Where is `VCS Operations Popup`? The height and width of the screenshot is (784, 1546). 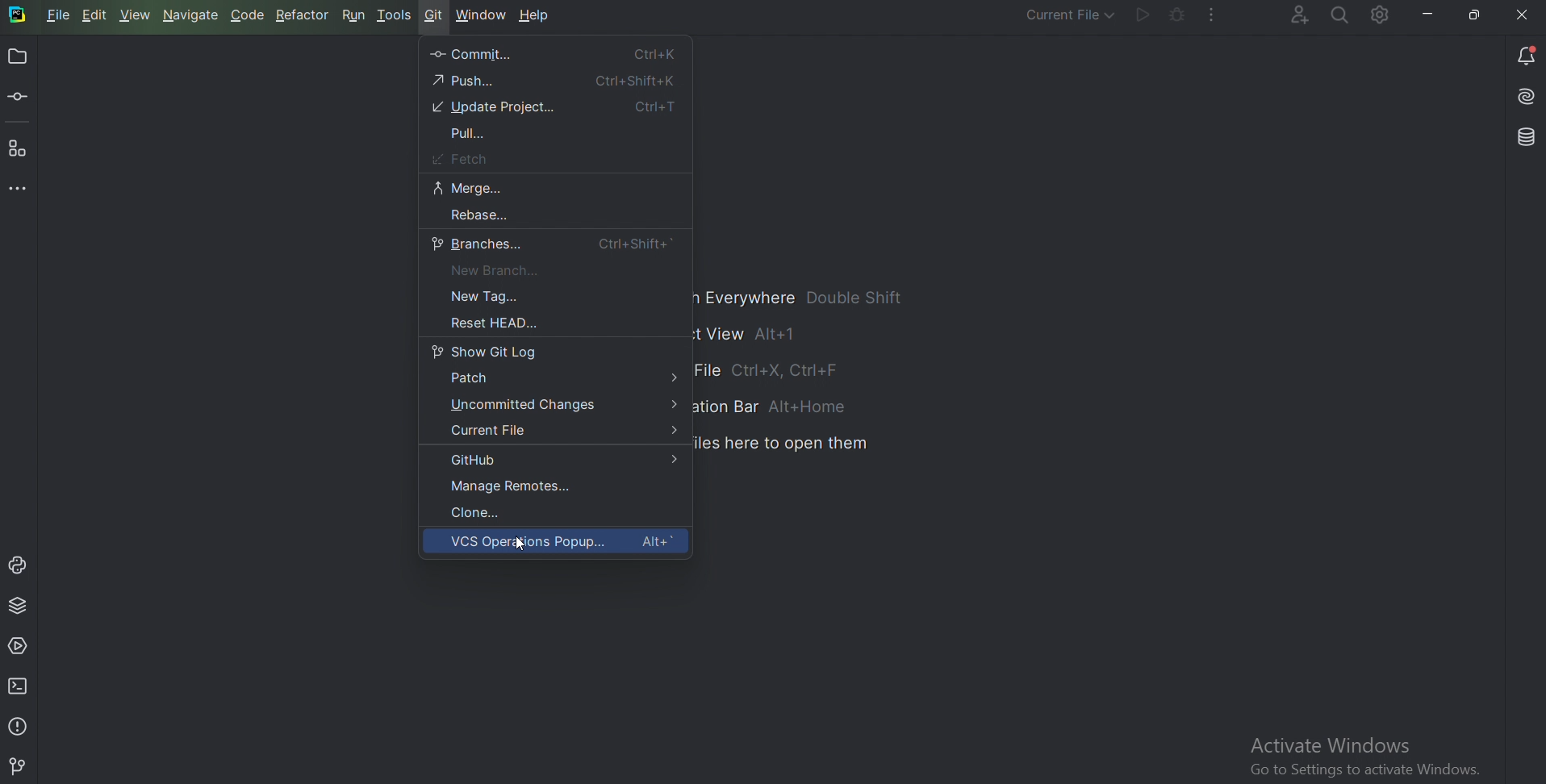
VCS Operations Popup is located at coordinates (564, 543).